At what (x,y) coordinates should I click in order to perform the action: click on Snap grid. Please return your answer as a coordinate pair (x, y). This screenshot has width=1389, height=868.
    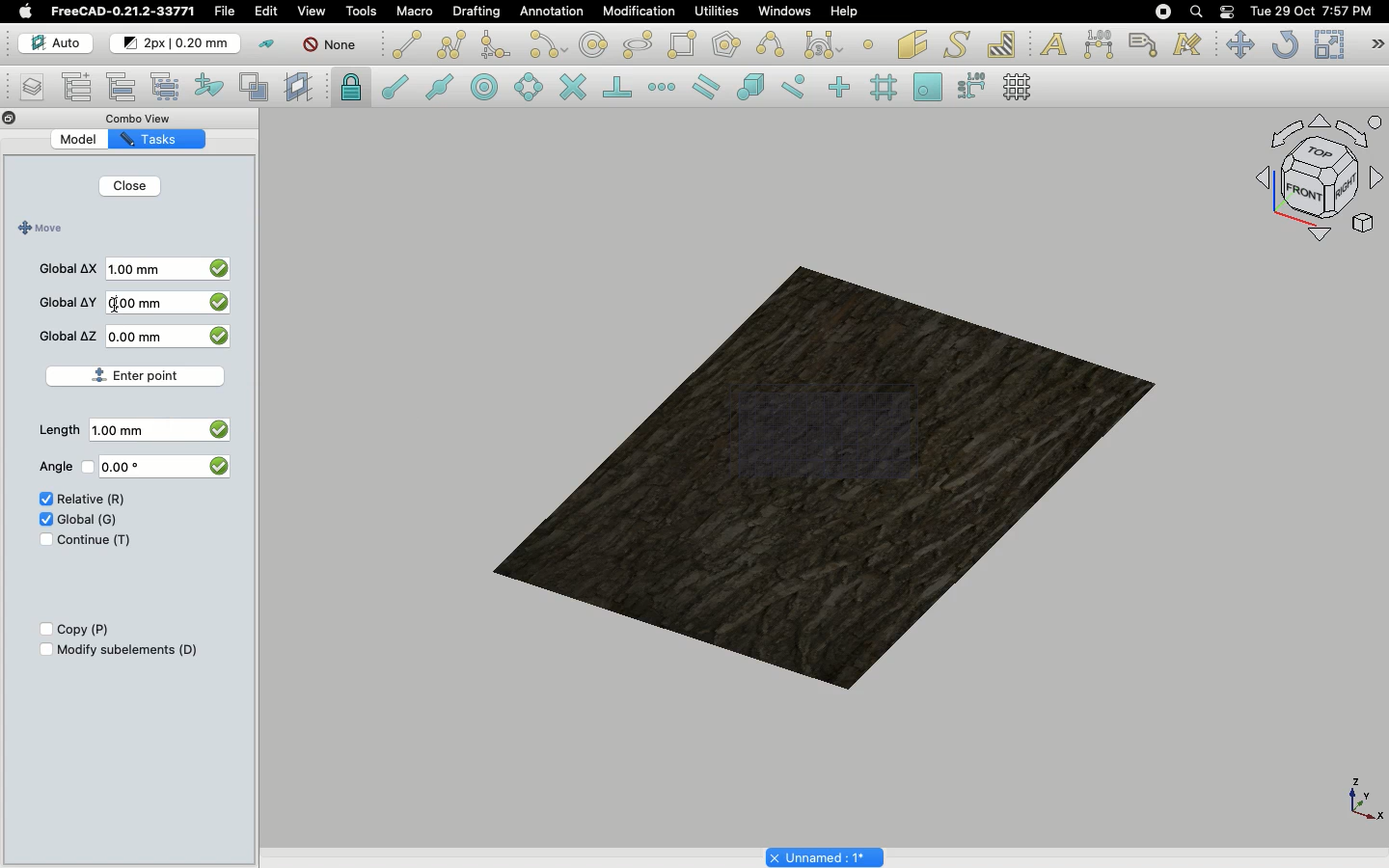
    Looking at the image, I should click on (885, 88).